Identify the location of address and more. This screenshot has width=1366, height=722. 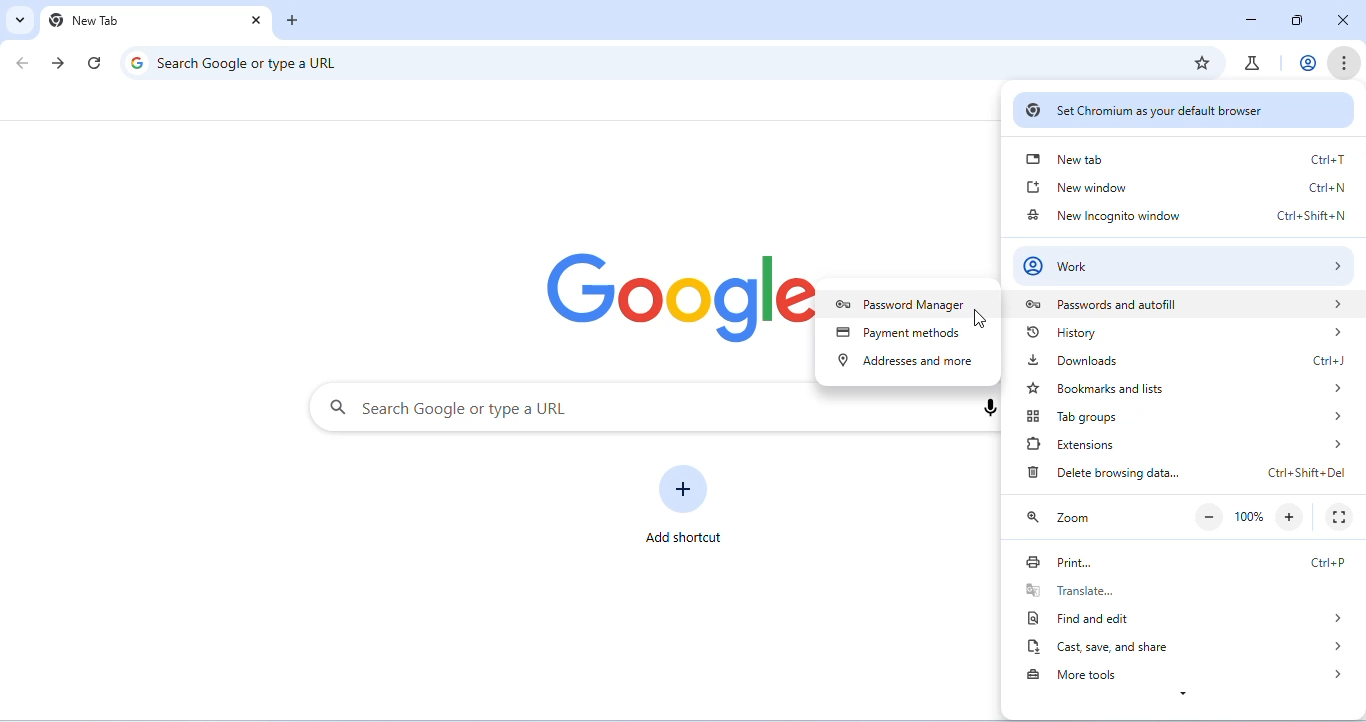
(905, 363).